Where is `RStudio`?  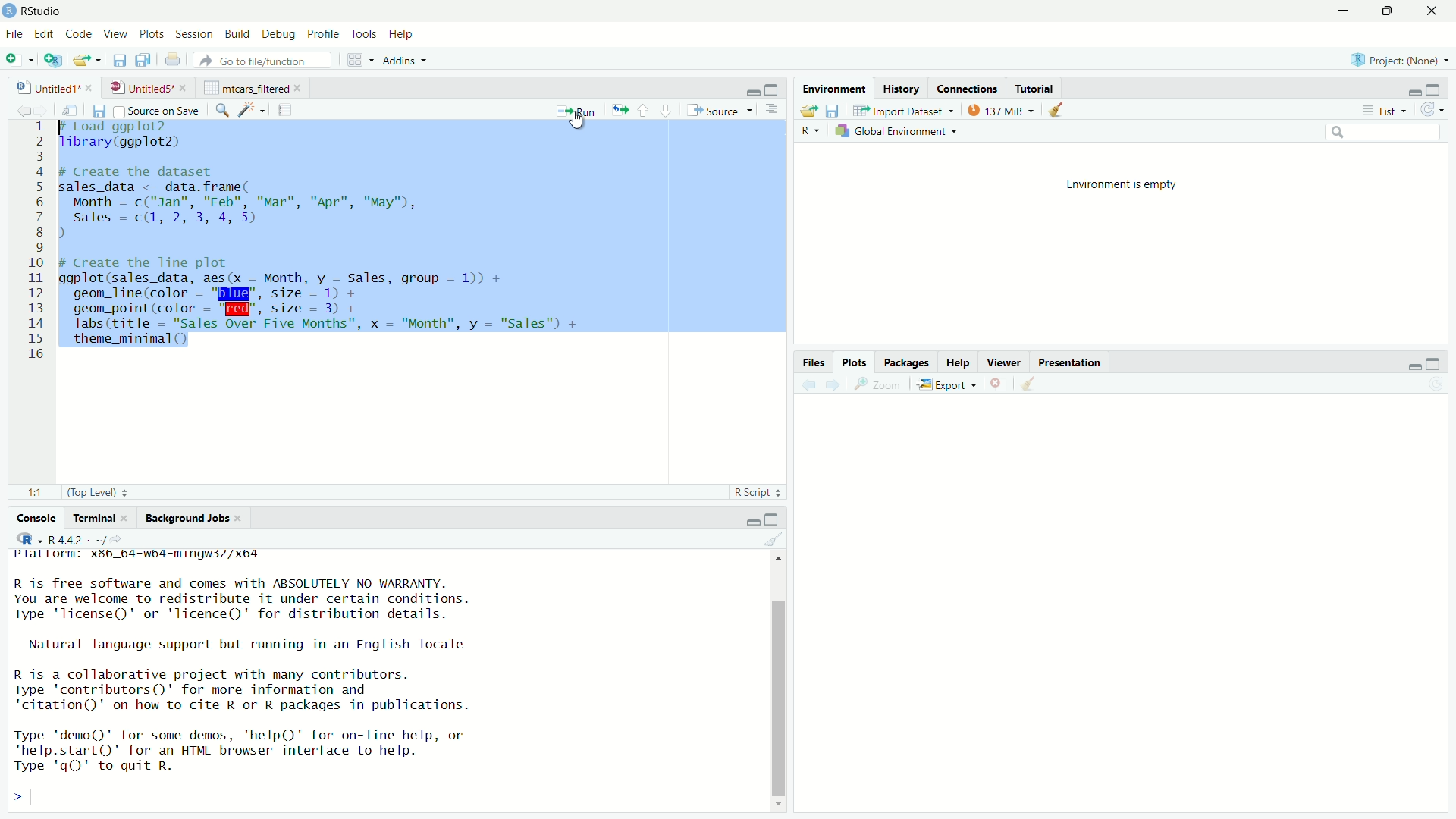 RStudio is located at coordinates (44, 11).